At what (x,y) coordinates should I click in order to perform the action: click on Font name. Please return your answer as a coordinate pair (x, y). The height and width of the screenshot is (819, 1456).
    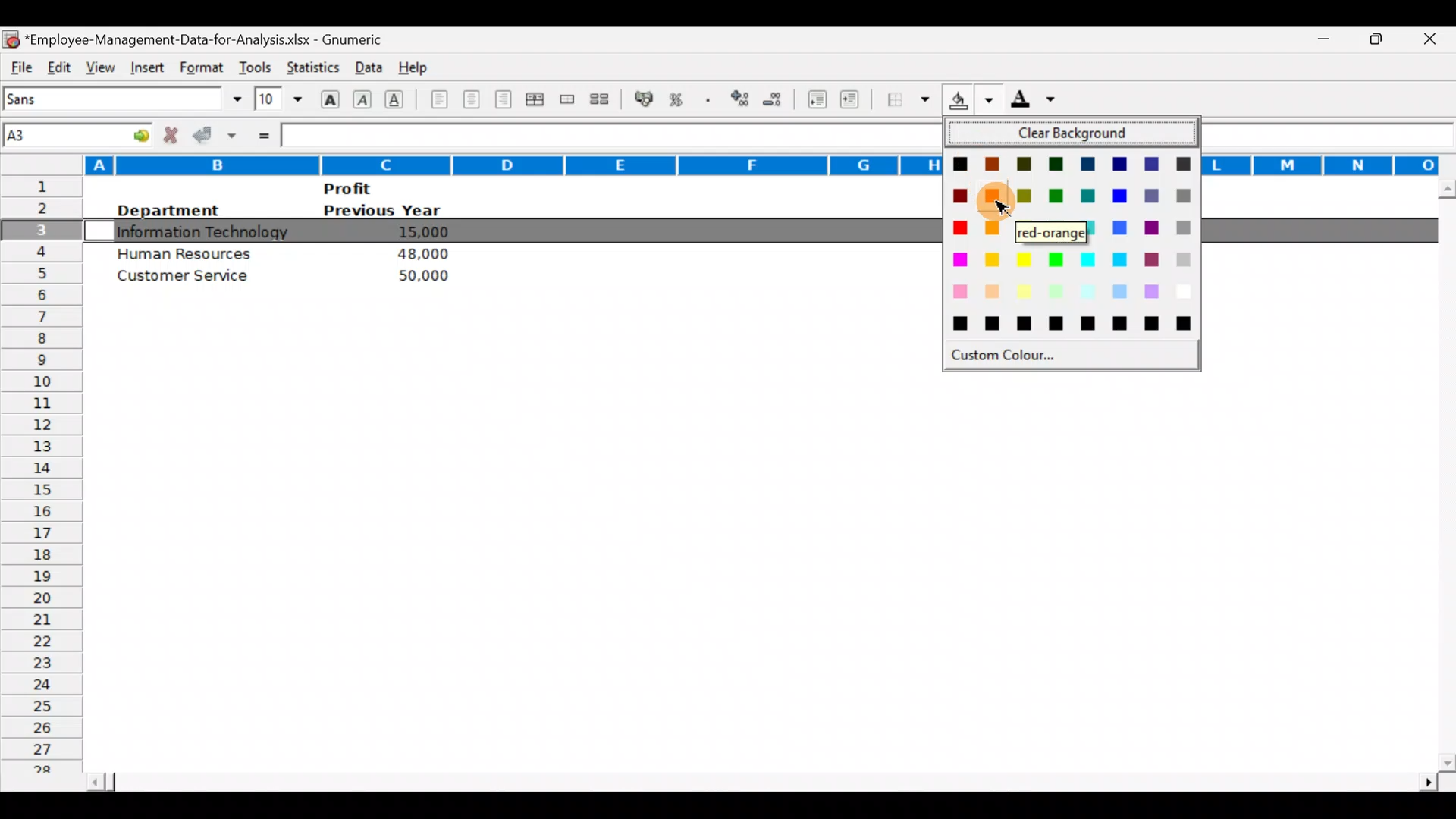
    Looking at the image, I should click on (124, 99).